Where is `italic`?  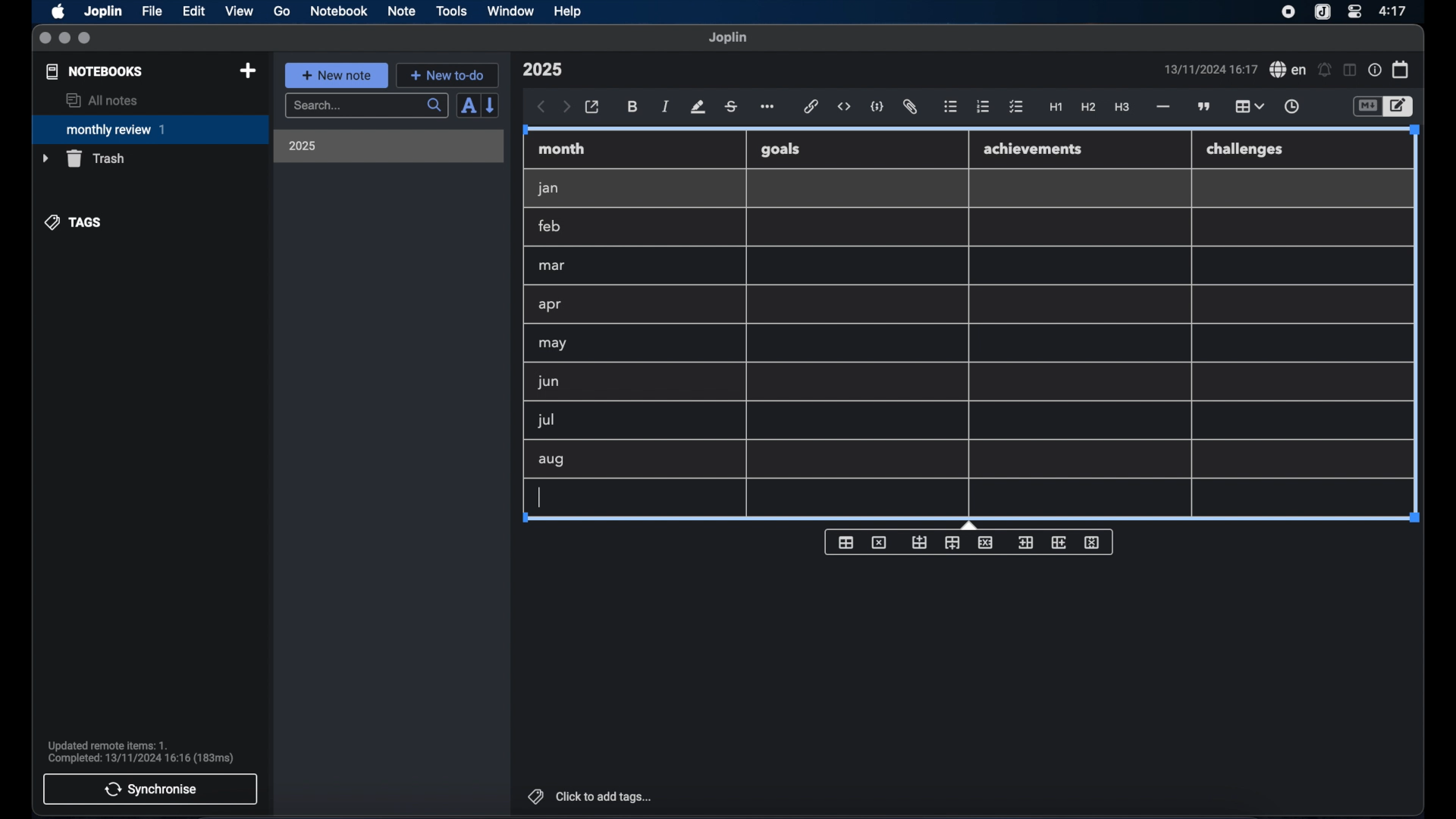
italic is located at coordinates (666, 106).